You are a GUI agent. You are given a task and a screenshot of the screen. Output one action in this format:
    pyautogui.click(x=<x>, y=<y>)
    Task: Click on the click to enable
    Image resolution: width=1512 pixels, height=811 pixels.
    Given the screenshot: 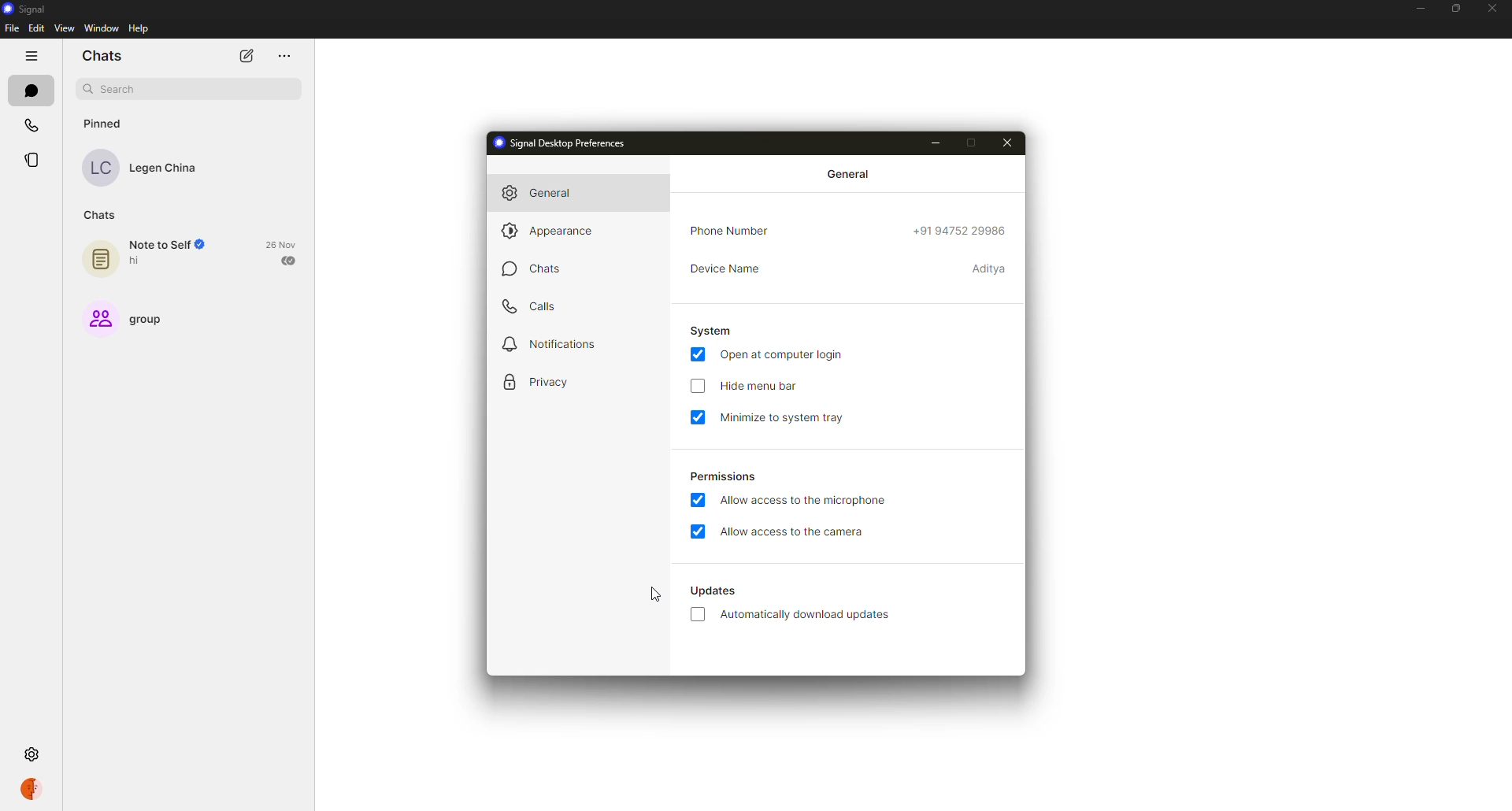 What is the action you would take?
    pyautogui.click(x=697, y=385)
    